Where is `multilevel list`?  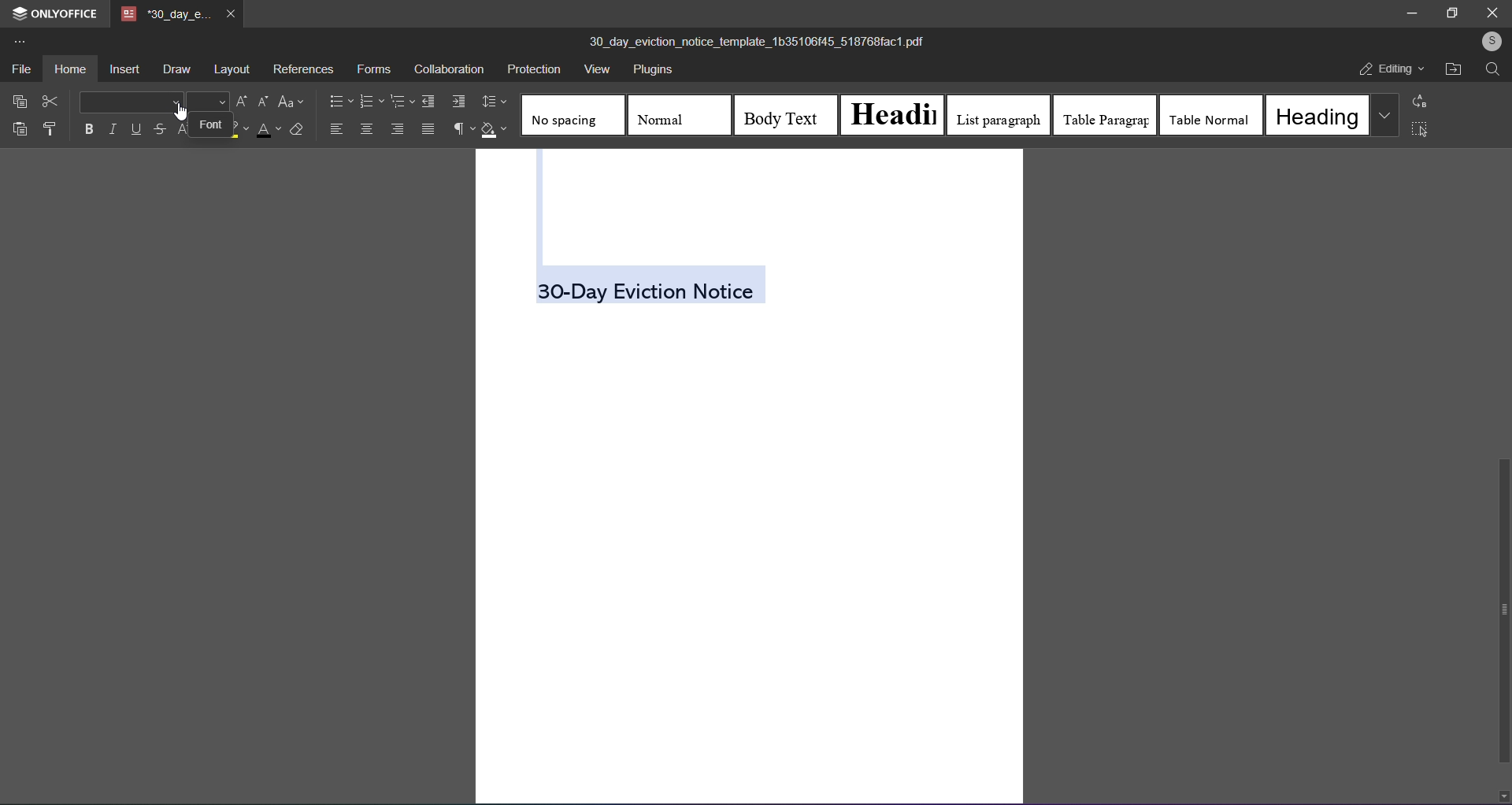 multilevel list is located at coordinates (402, 102).